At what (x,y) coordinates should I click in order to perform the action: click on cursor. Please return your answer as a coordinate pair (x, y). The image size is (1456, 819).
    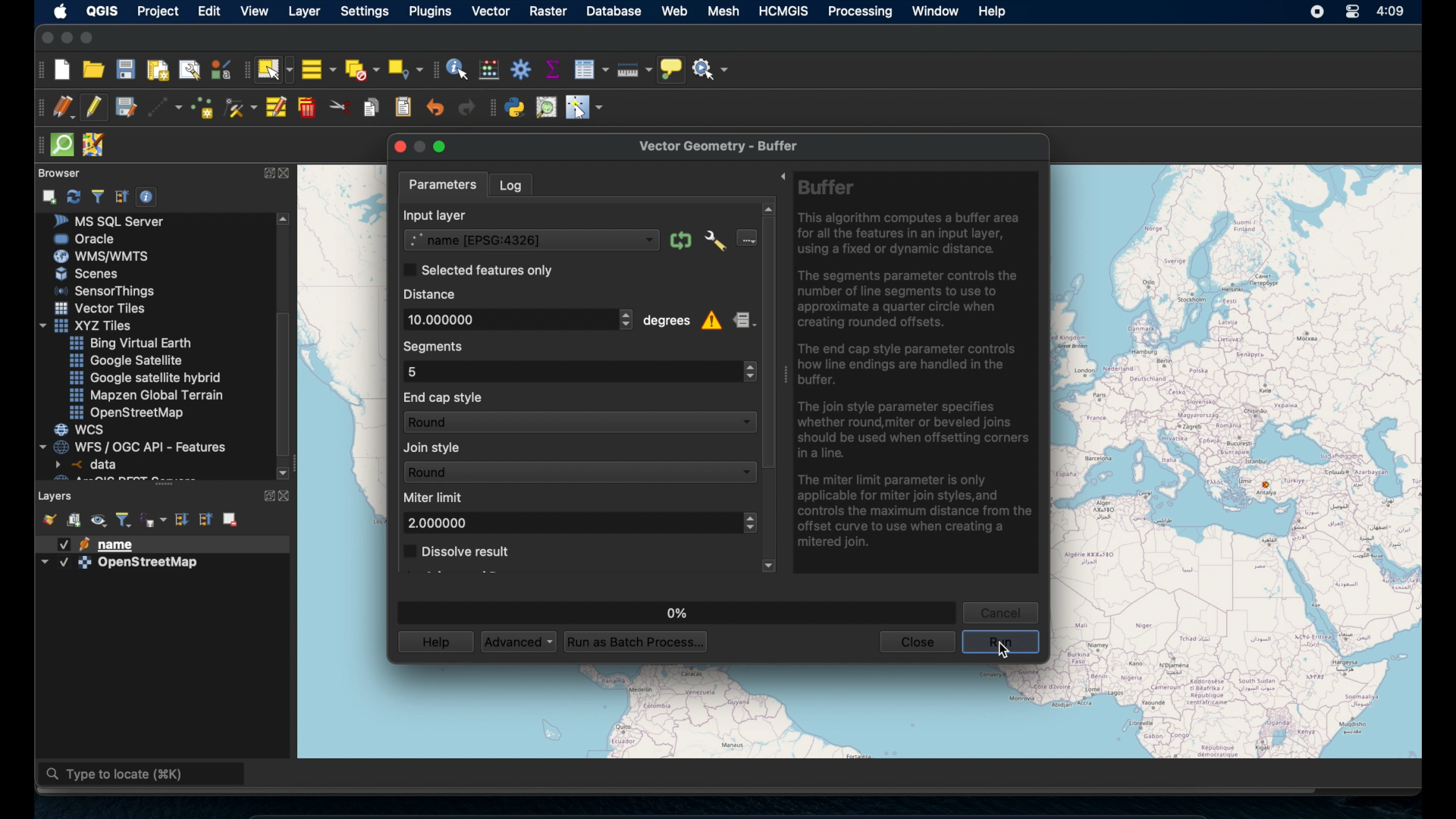
    Looking at the image, I should click on (1003, 651).